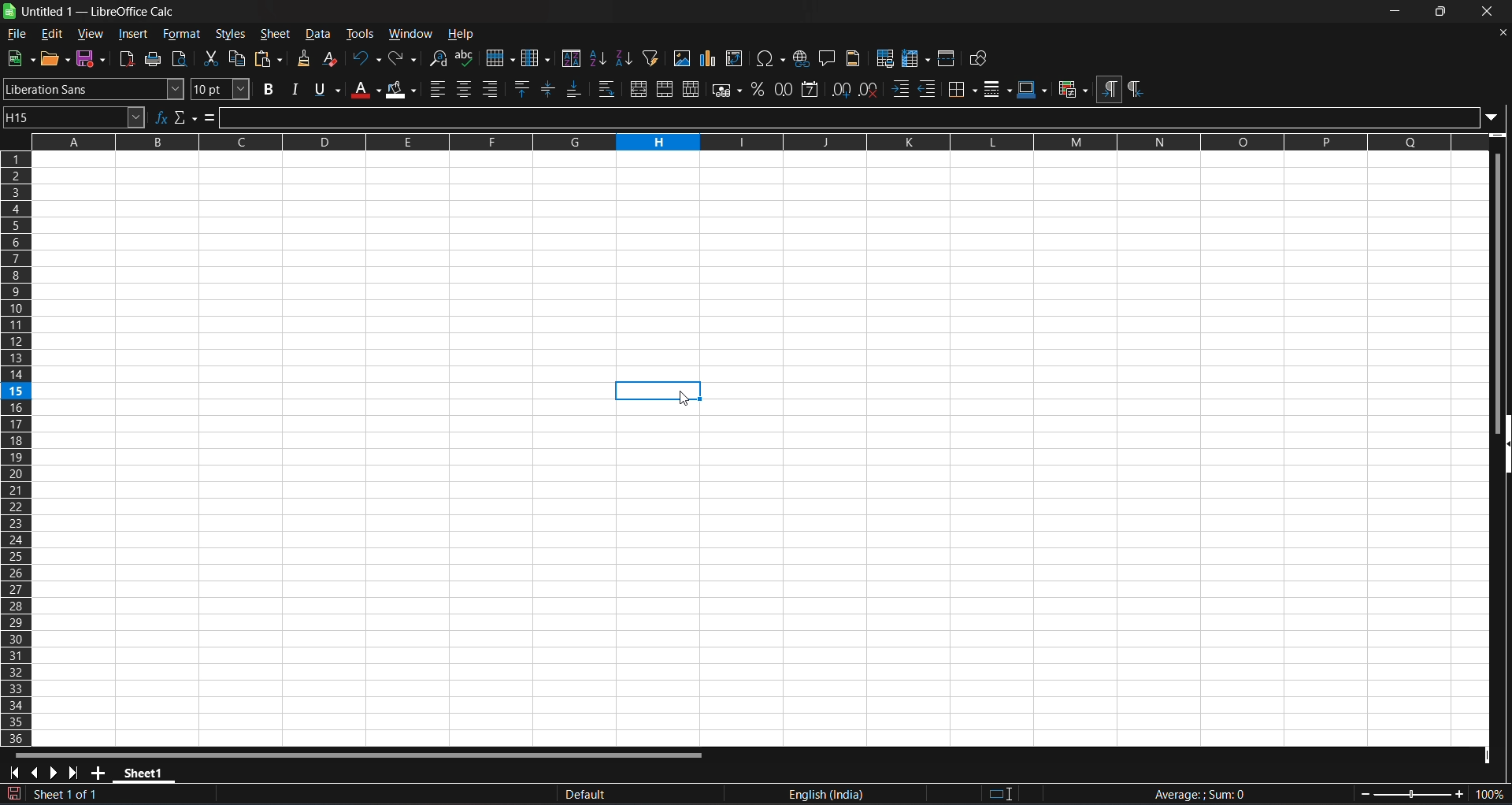  What do you see at coordinates (870, 90) in the screenshot?
I see `remove decimal place` at bounding box center [870, 90].